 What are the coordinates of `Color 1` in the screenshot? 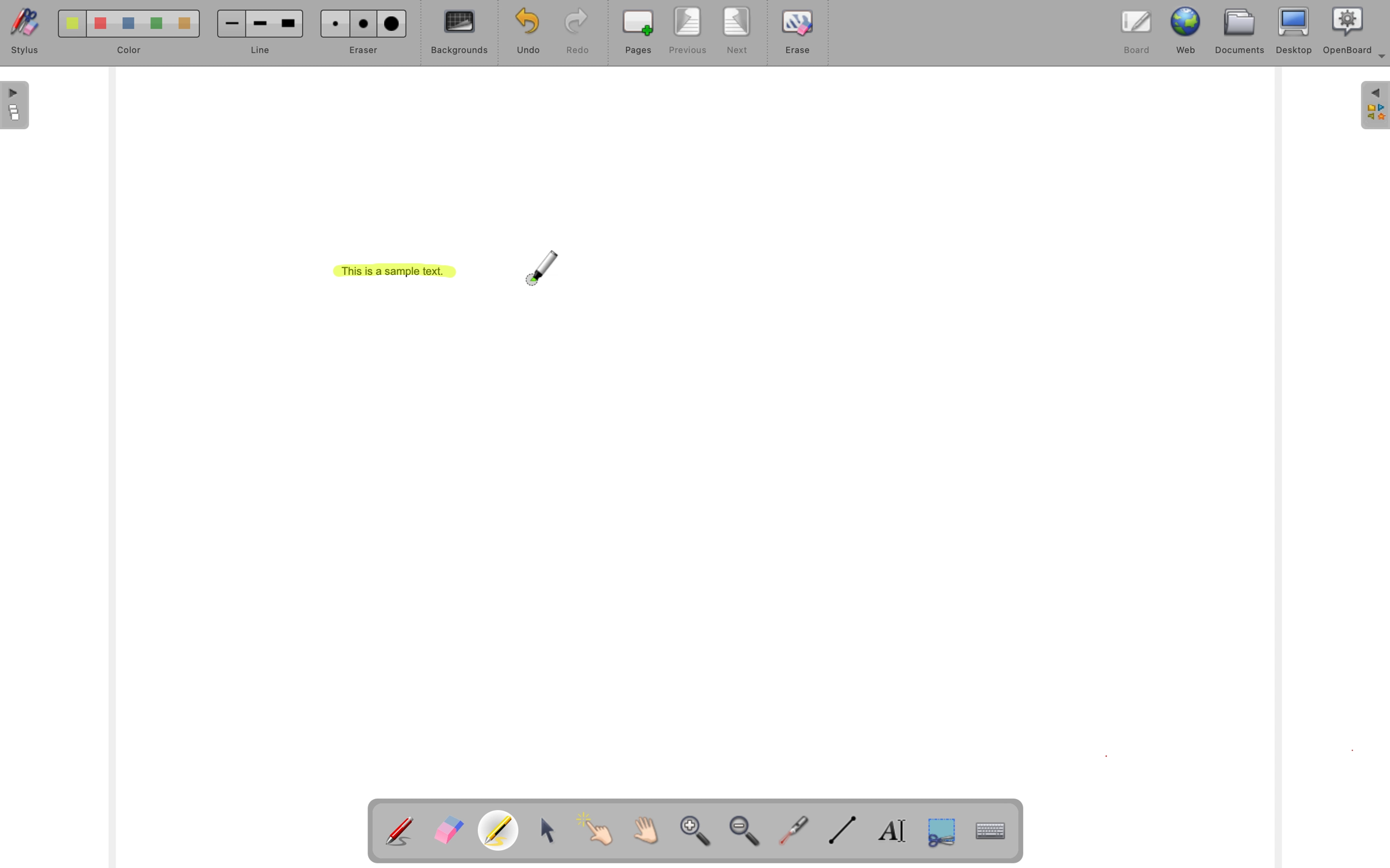 It's located at (74, 24).